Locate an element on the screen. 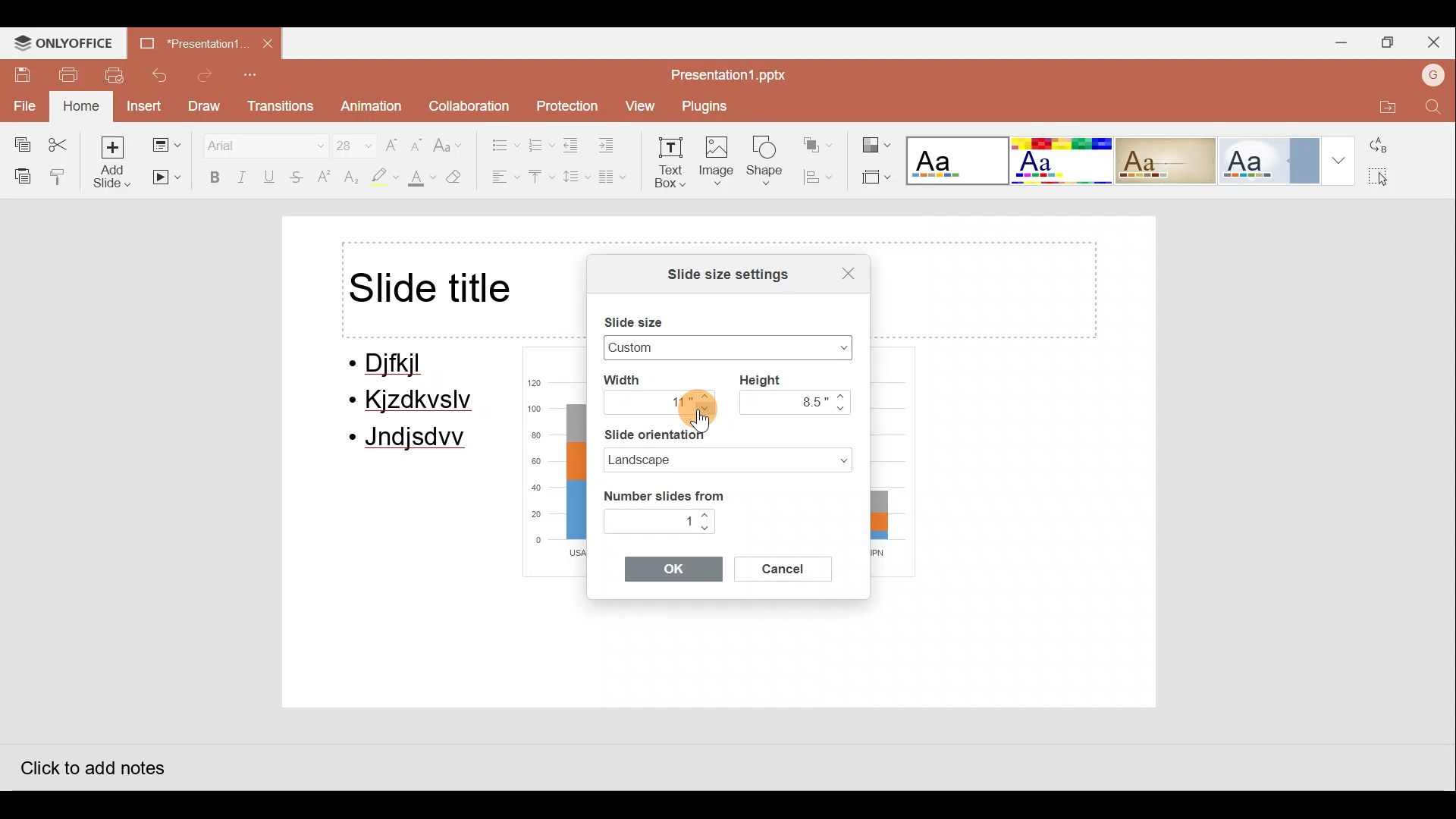 This screenshot has height=819, width=1456. Cancel is located at coordinates (783, 570).